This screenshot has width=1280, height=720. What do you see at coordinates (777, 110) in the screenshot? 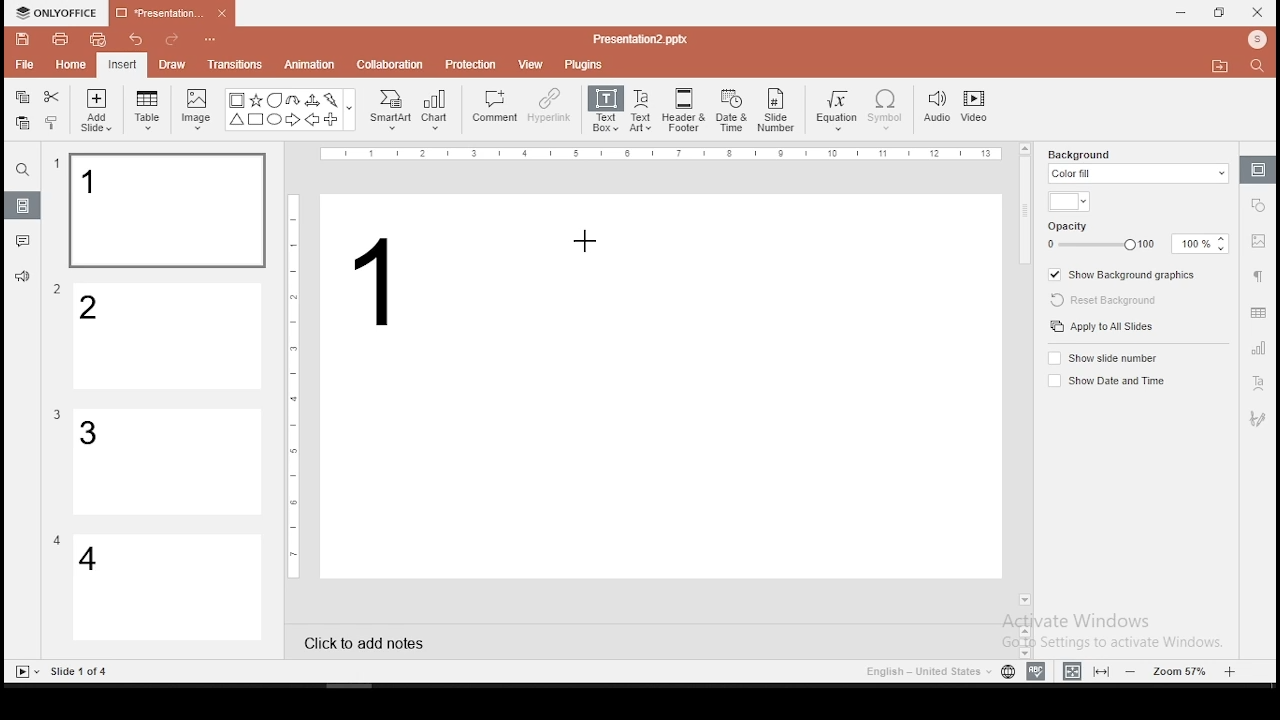
I see `slide number` at bounding box center [777, 110].